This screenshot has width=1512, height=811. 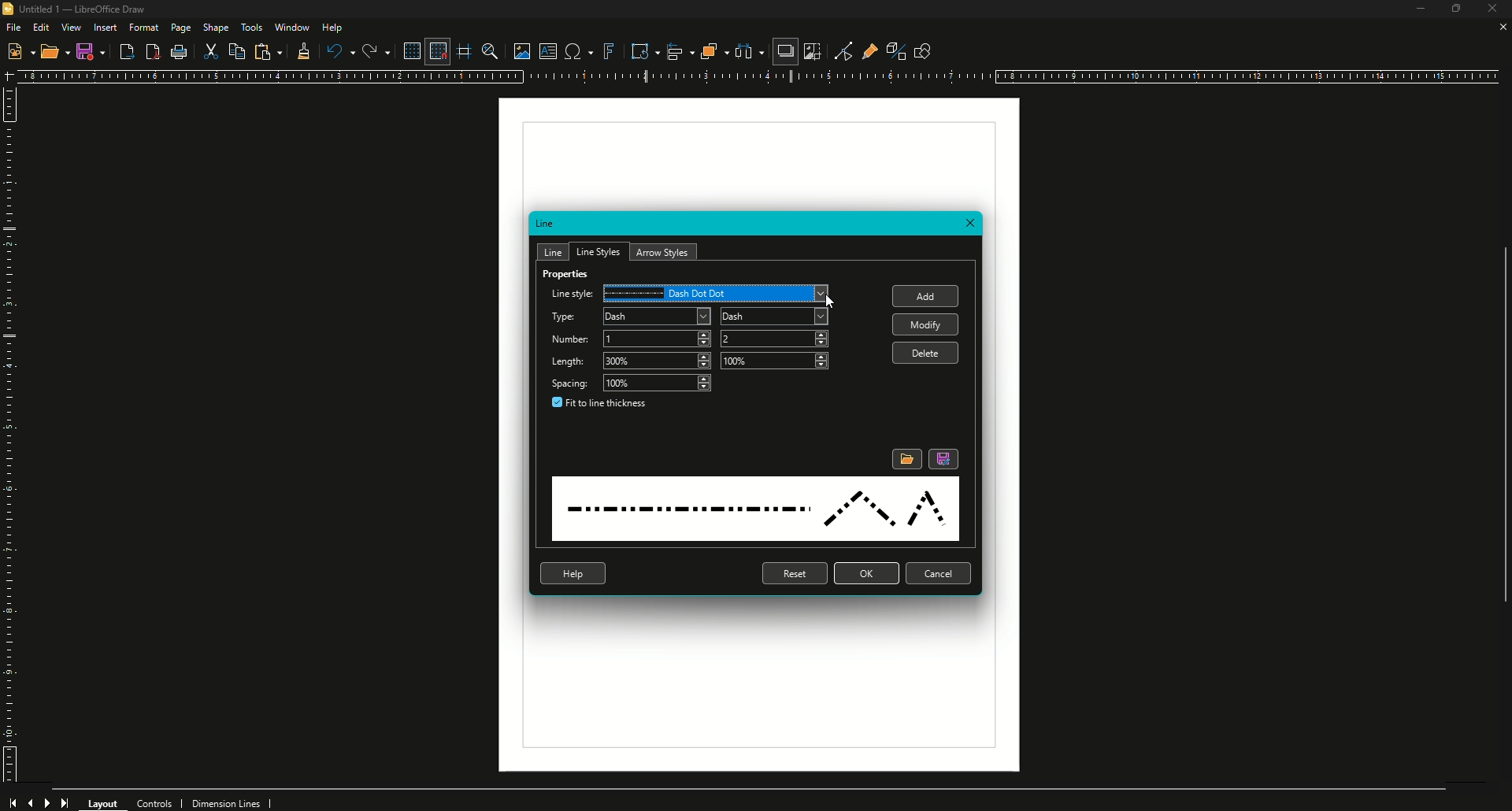 What do you see at coordinates (436, 51) in the screenshot?
I see `Snap to Grid` at bounding box center [436, 51].